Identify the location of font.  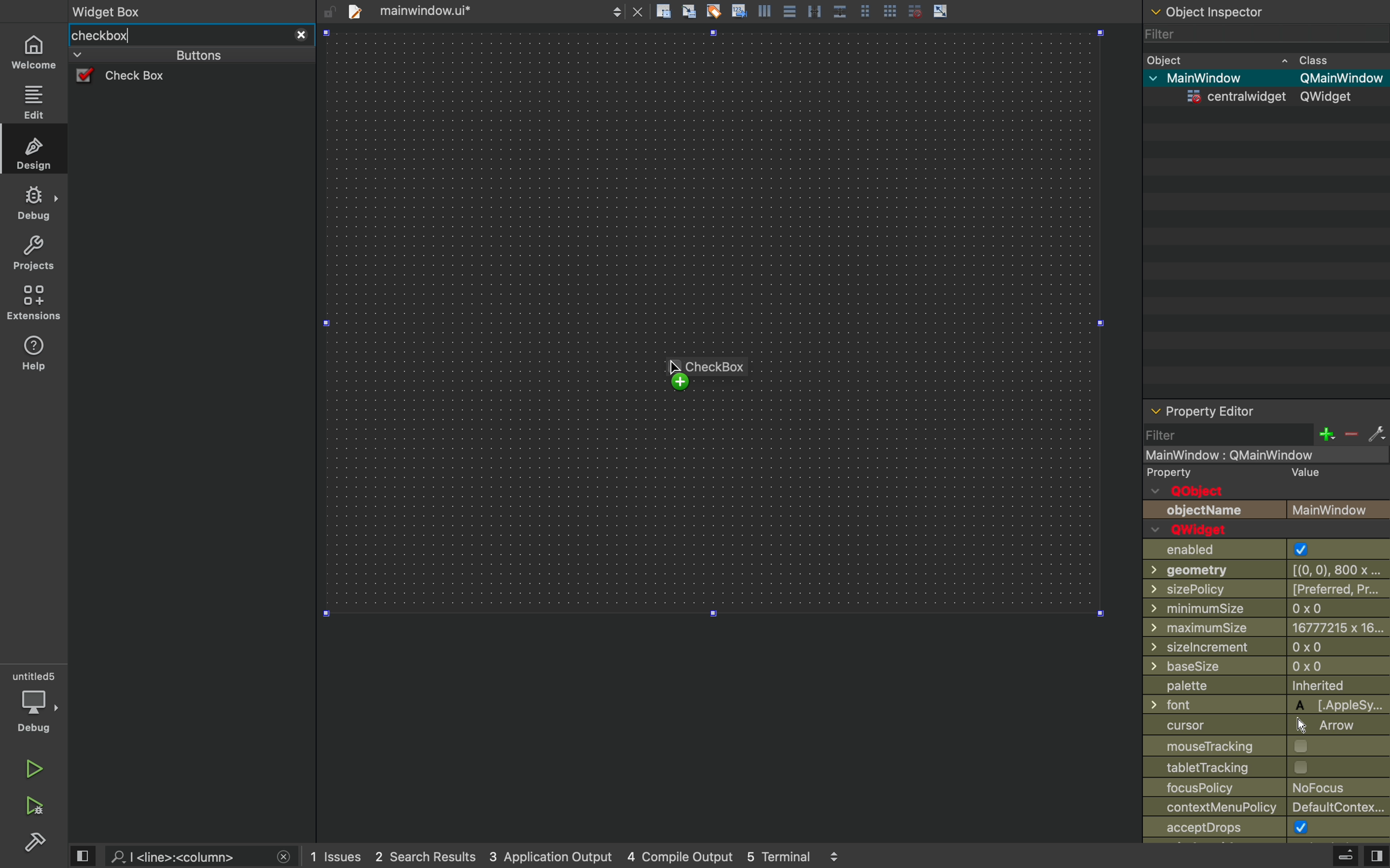
(1267, 704).